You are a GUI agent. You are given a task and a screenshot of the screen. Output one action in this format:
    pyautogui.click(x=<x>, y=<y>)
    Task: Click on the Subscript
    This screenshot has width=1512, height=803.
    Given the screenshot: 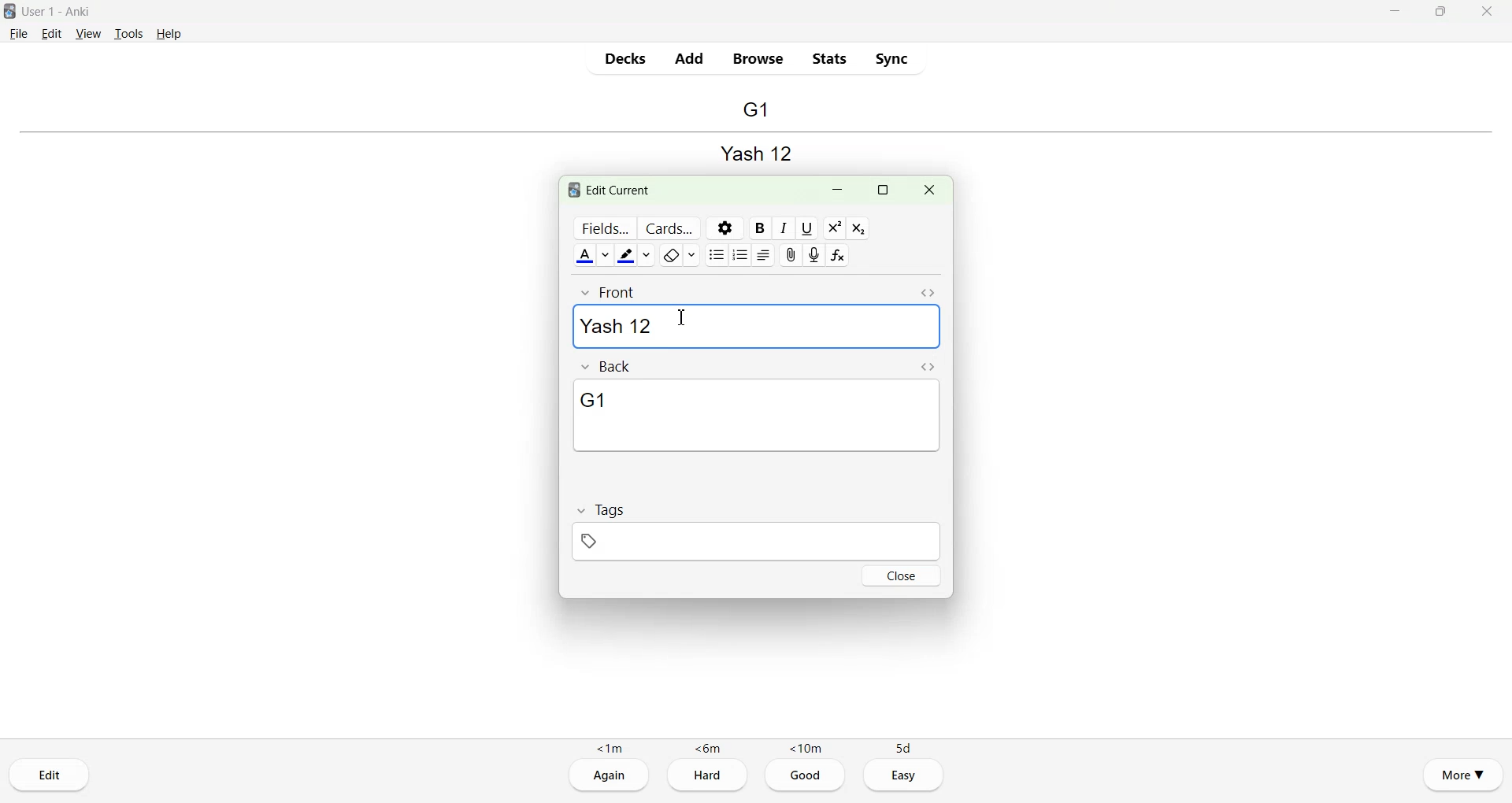 What is the action you would take?
    pyautogui.click(x=858, y=228)
    